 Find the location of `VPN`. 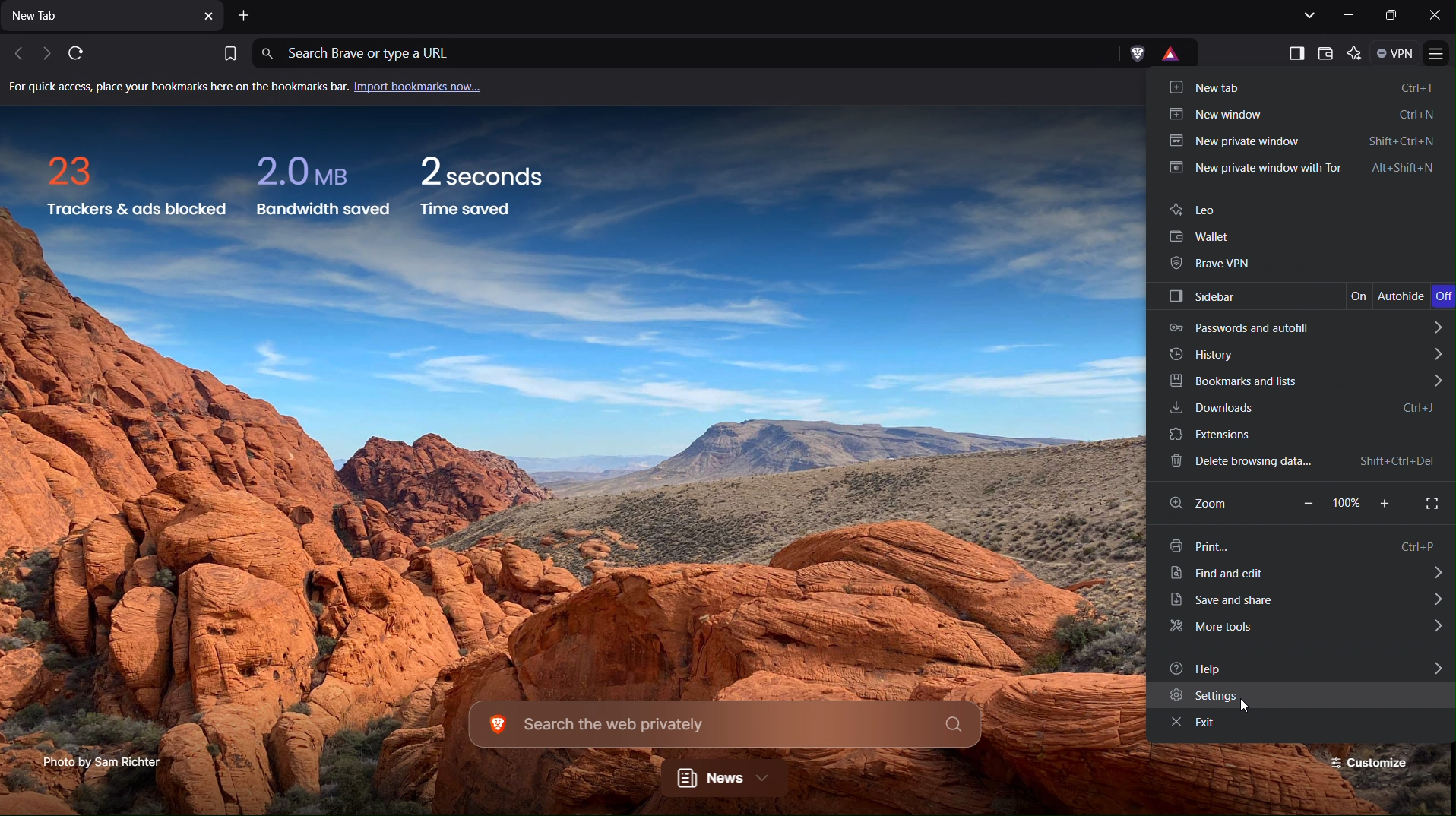

VPN is located at coordinates (1395, 53).